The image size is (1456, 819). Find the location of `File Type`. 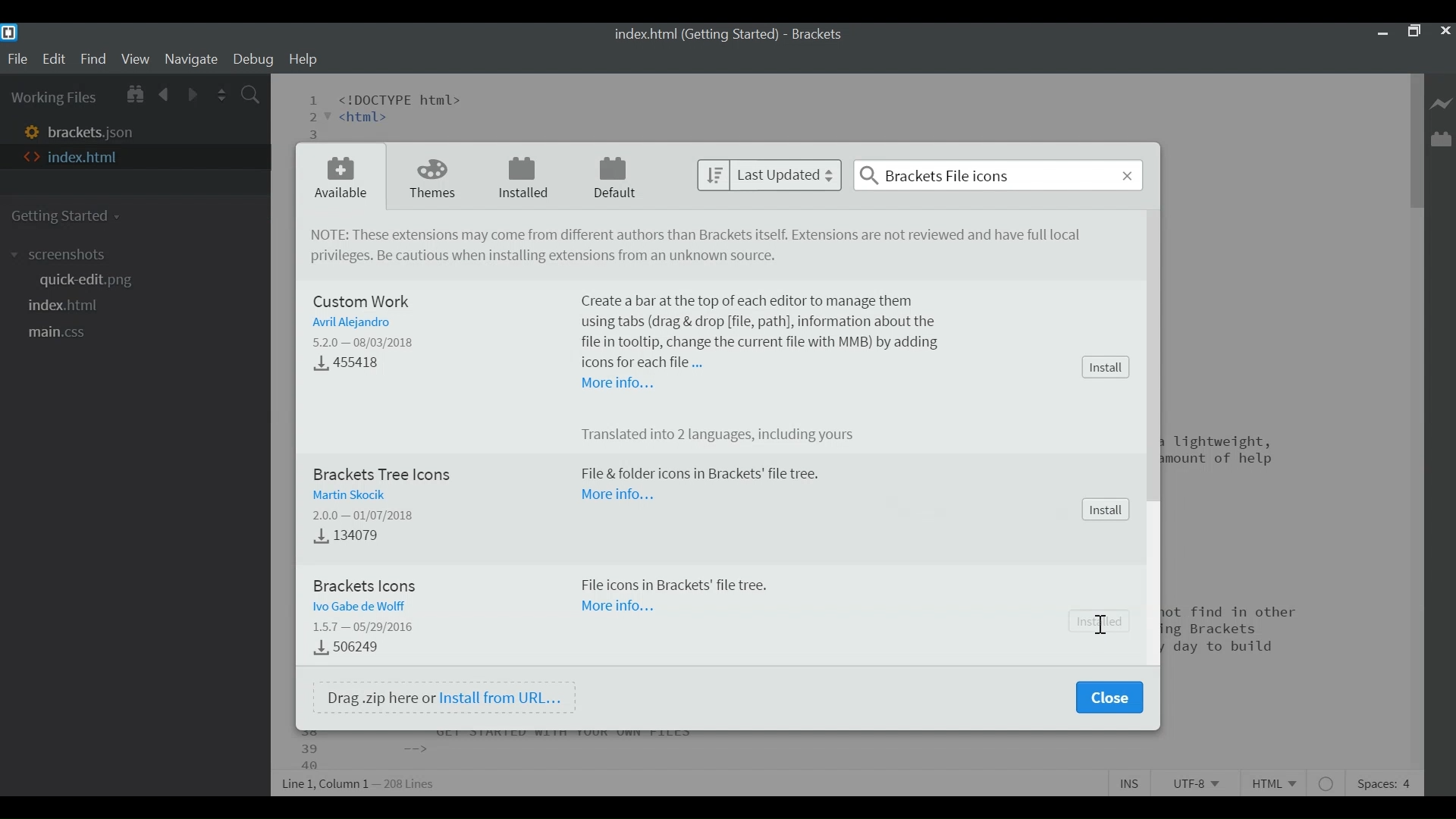

File Type is located at coordinates (1278, 781).